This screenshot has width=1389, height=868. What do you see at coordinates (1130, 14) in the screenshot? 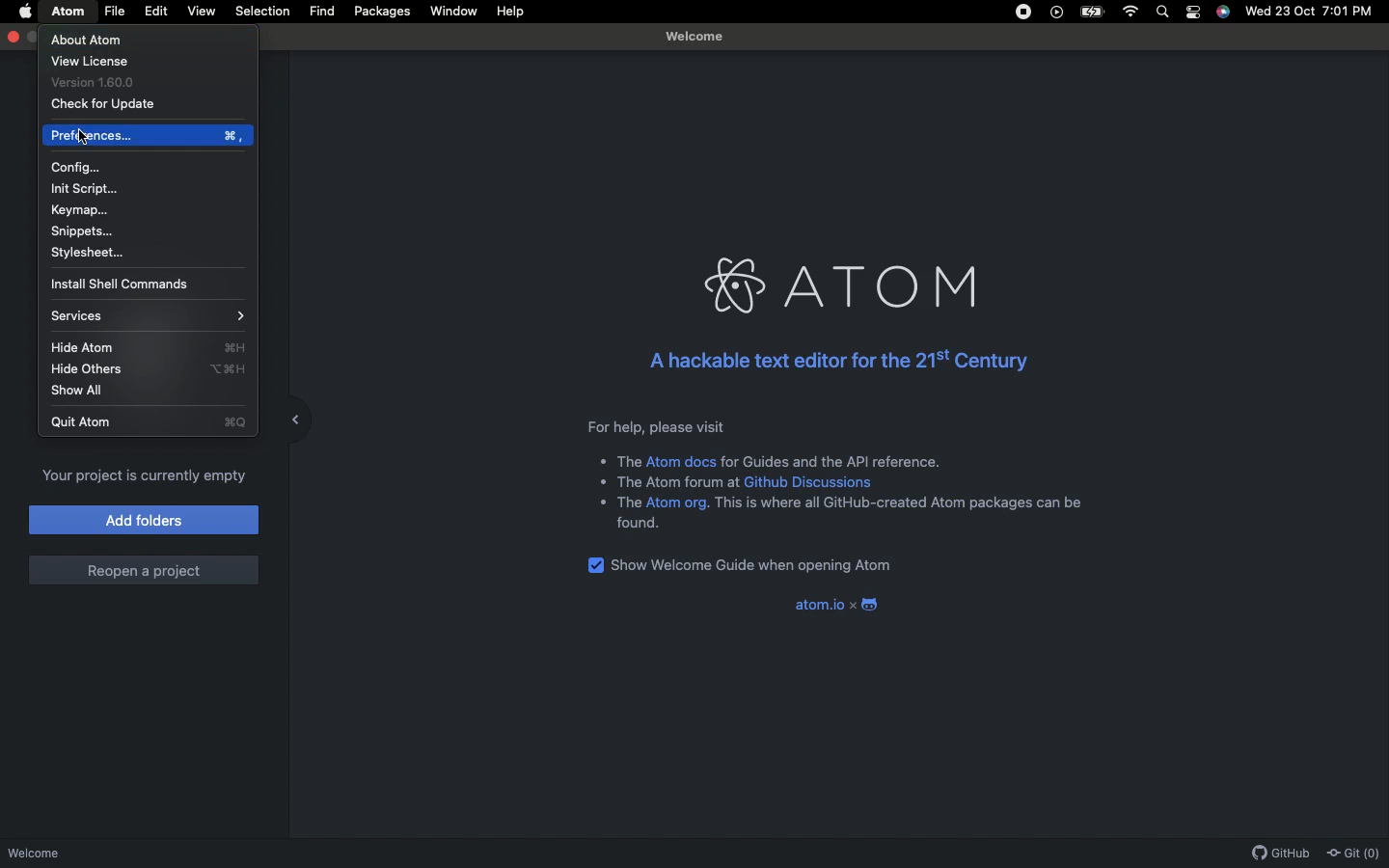
I see `Internet` at bounding box center [1130, 14].